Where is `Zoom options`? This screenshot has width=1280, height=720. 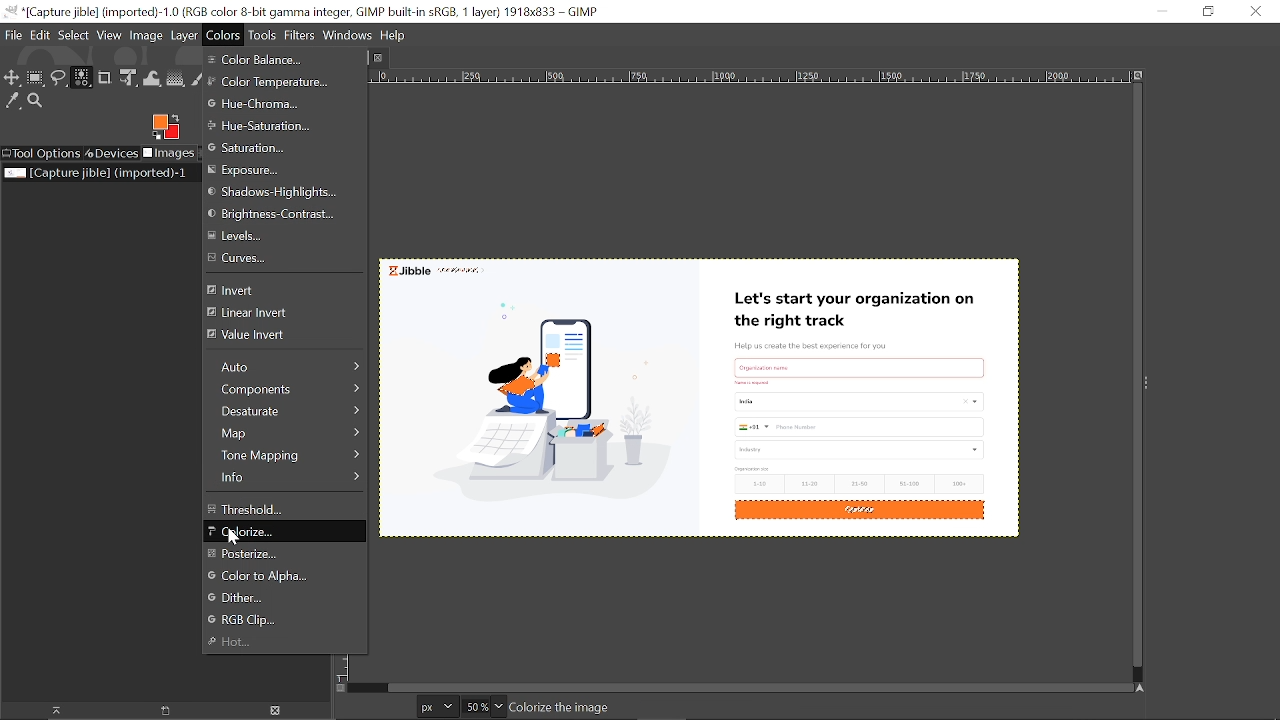
Zoom options is located at coordinates (498, 706).